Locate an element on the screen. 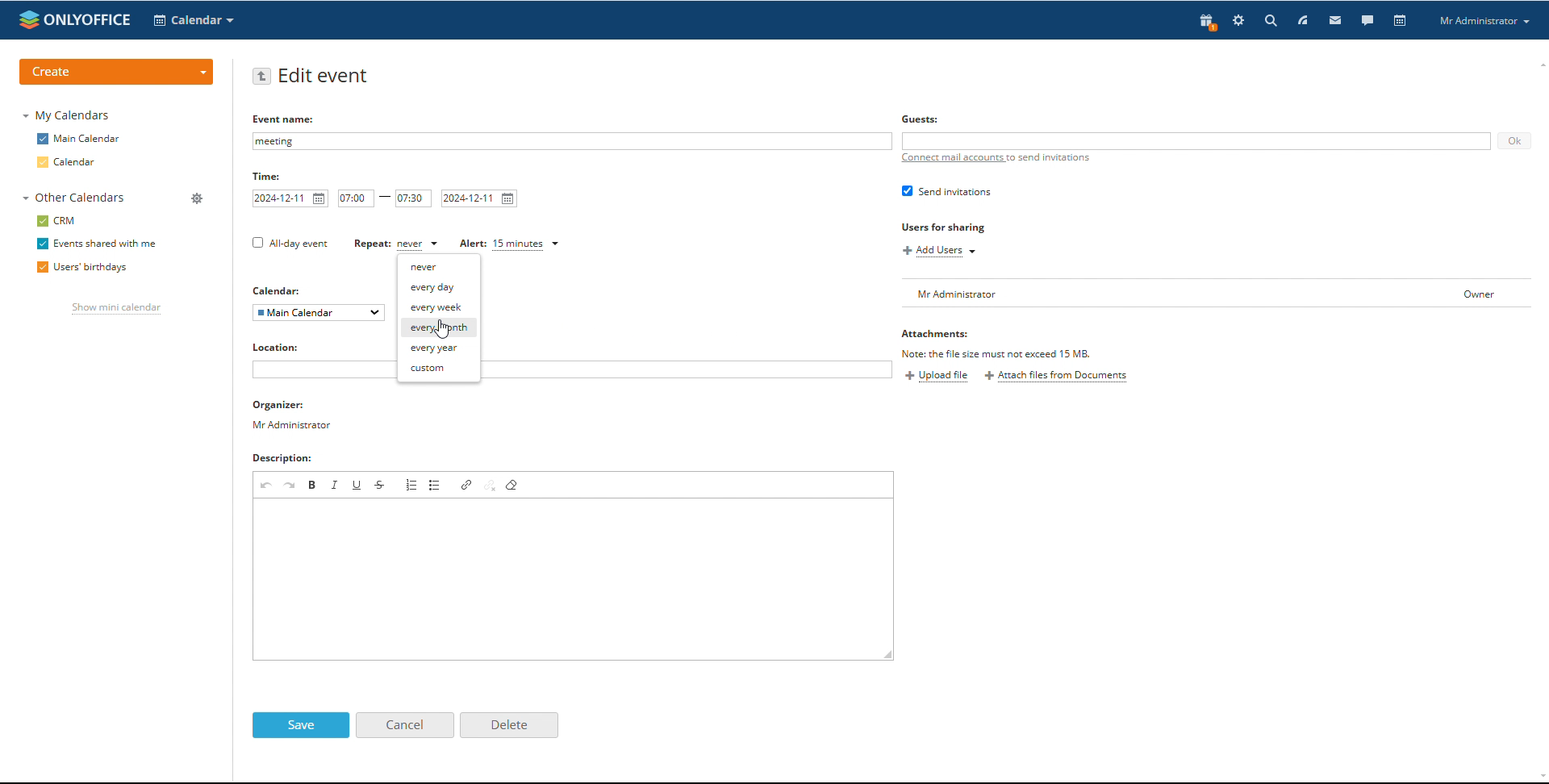  event repetition is located at coordinates (396, 244).